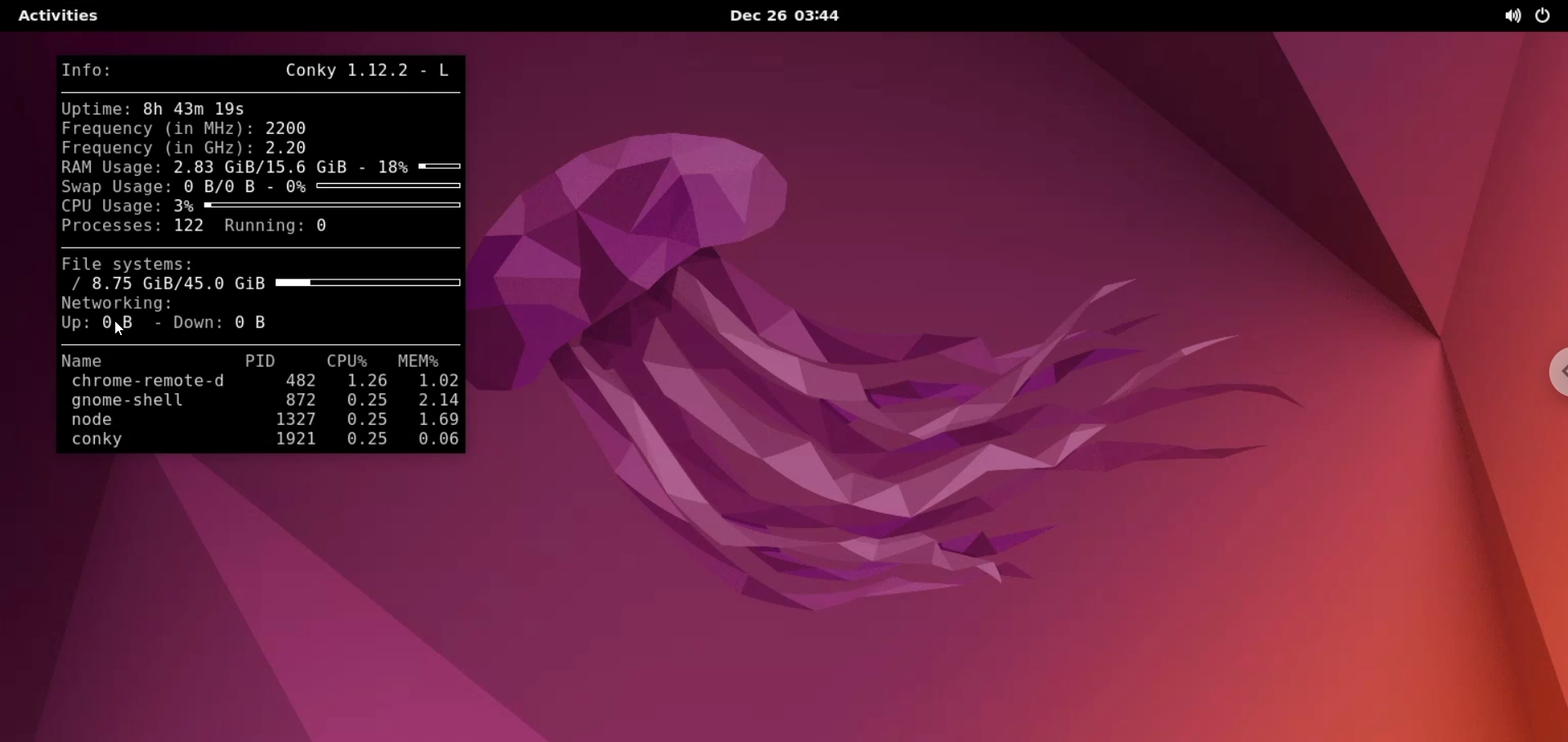 Image resolution: width=1568 pixels, height=742 pixels. Describe the element at coordinates (97, 107) in the screenshot. I see `Uptime:` at that location.